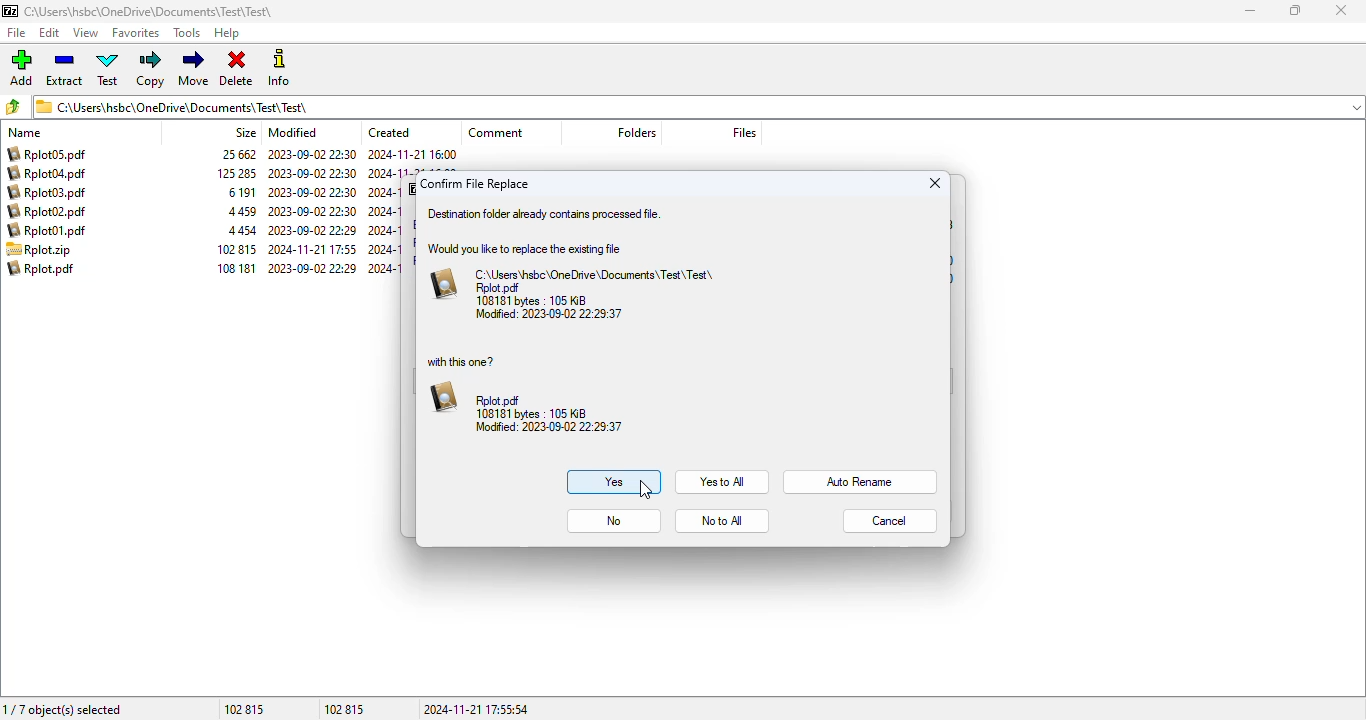  I want to click on Yes, so click(613, 483).